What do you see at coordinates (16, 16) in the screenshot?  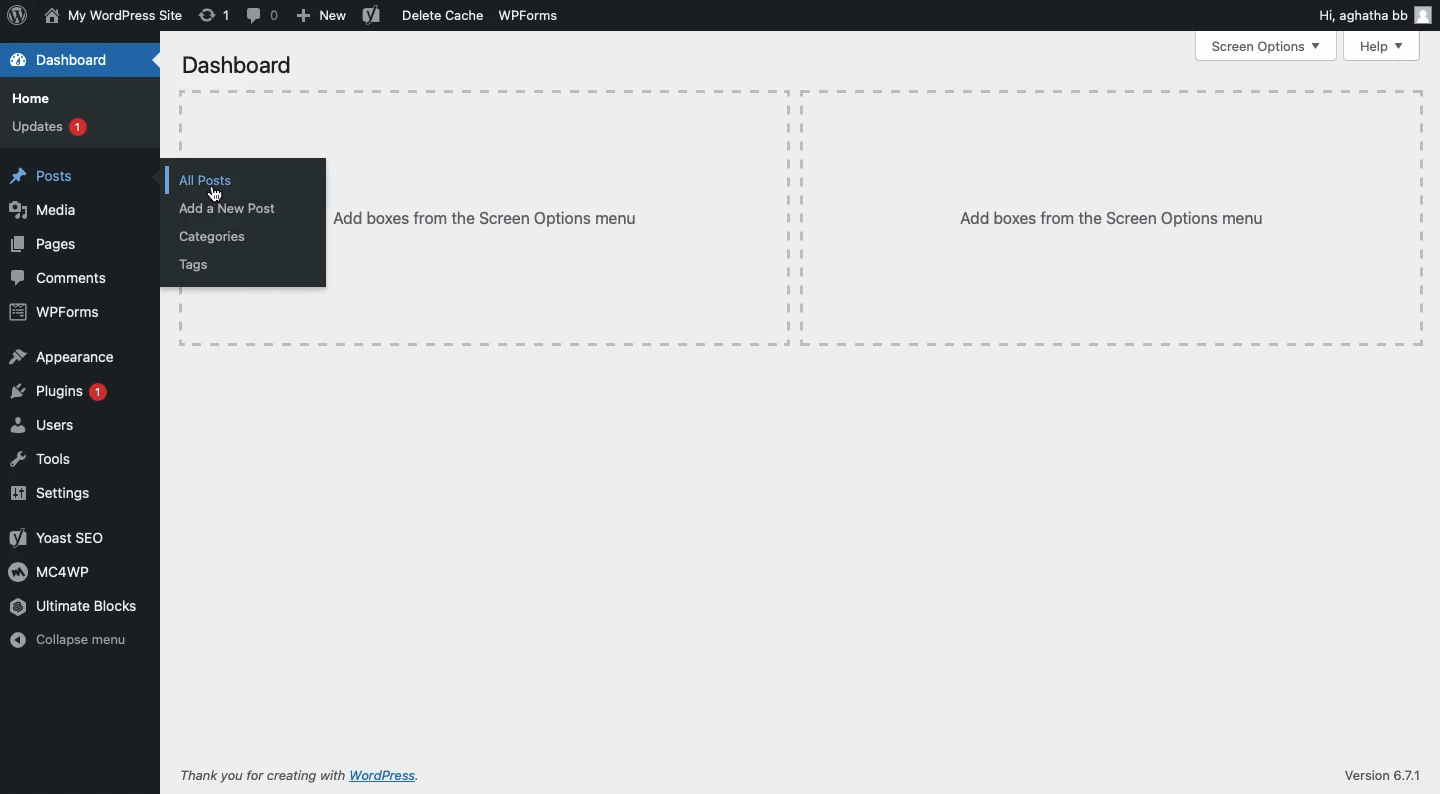 I see `Logo` at bounding box center [16, 16].